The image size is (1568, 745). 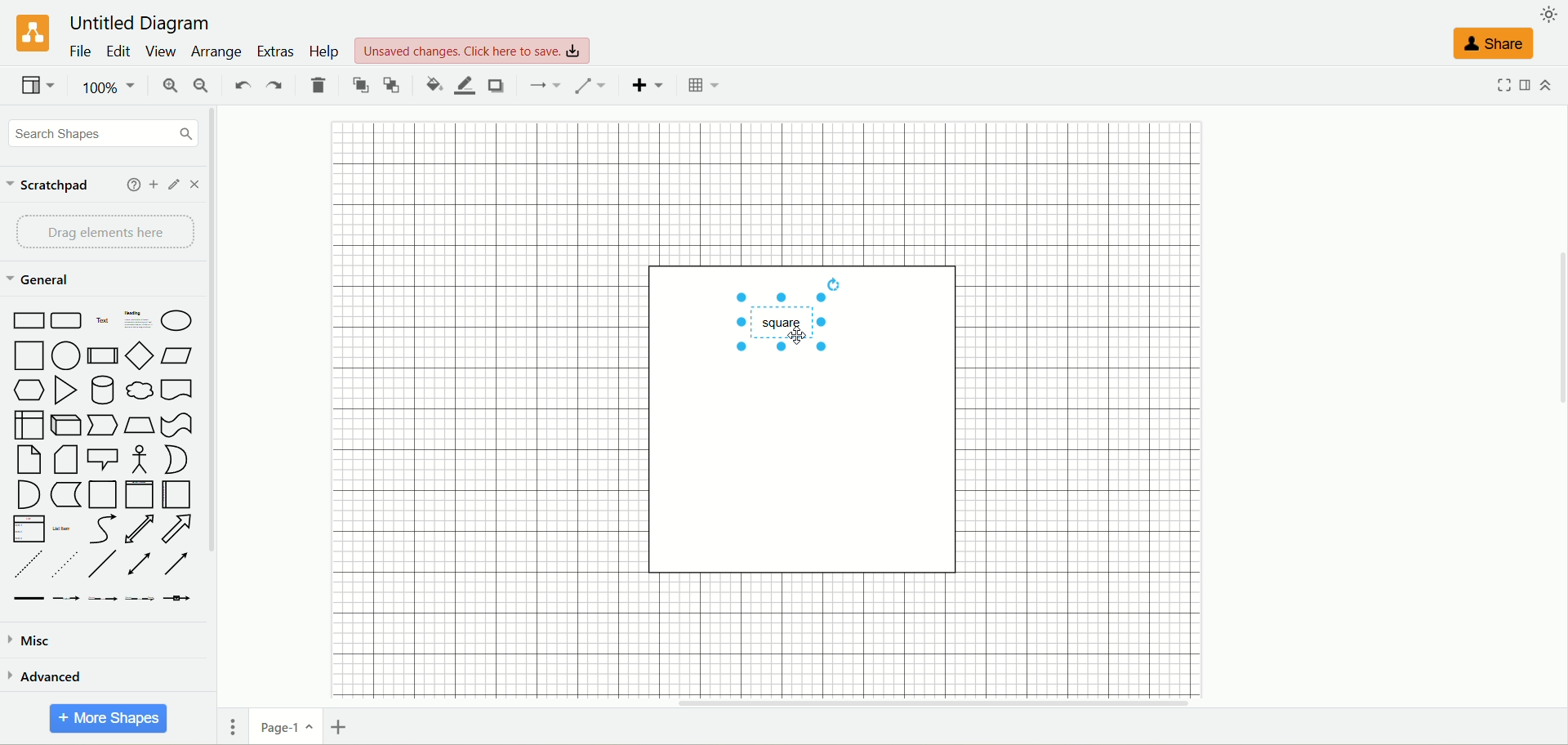 I want to click on appearance, so click(x=1548, y=15).